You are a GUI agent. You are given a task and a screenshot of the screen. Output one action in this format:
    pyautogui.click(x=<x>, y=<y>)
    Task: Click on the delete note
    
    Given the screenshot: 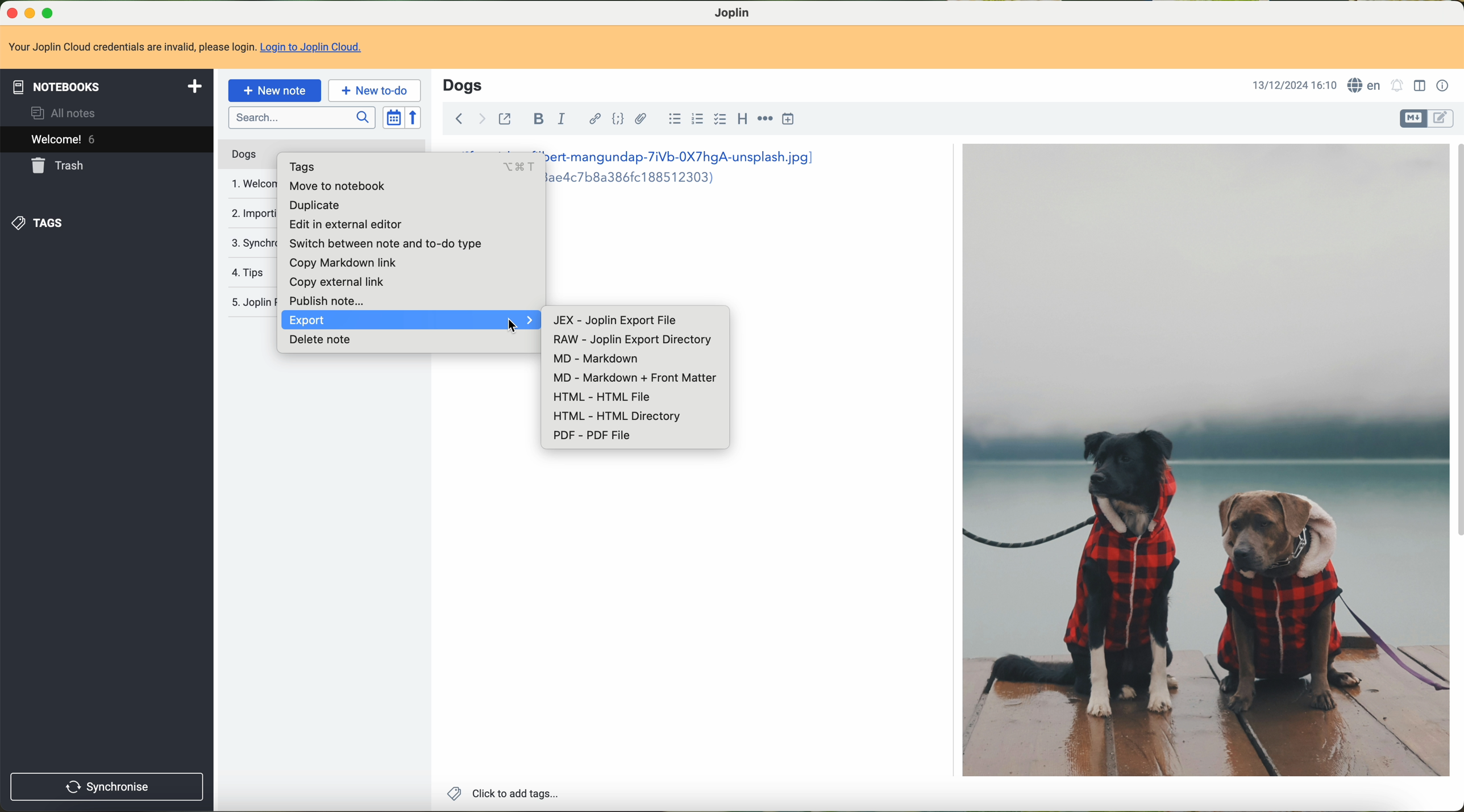 What is the action you would take?
    pyautogui.click(x=319, y=341)
    